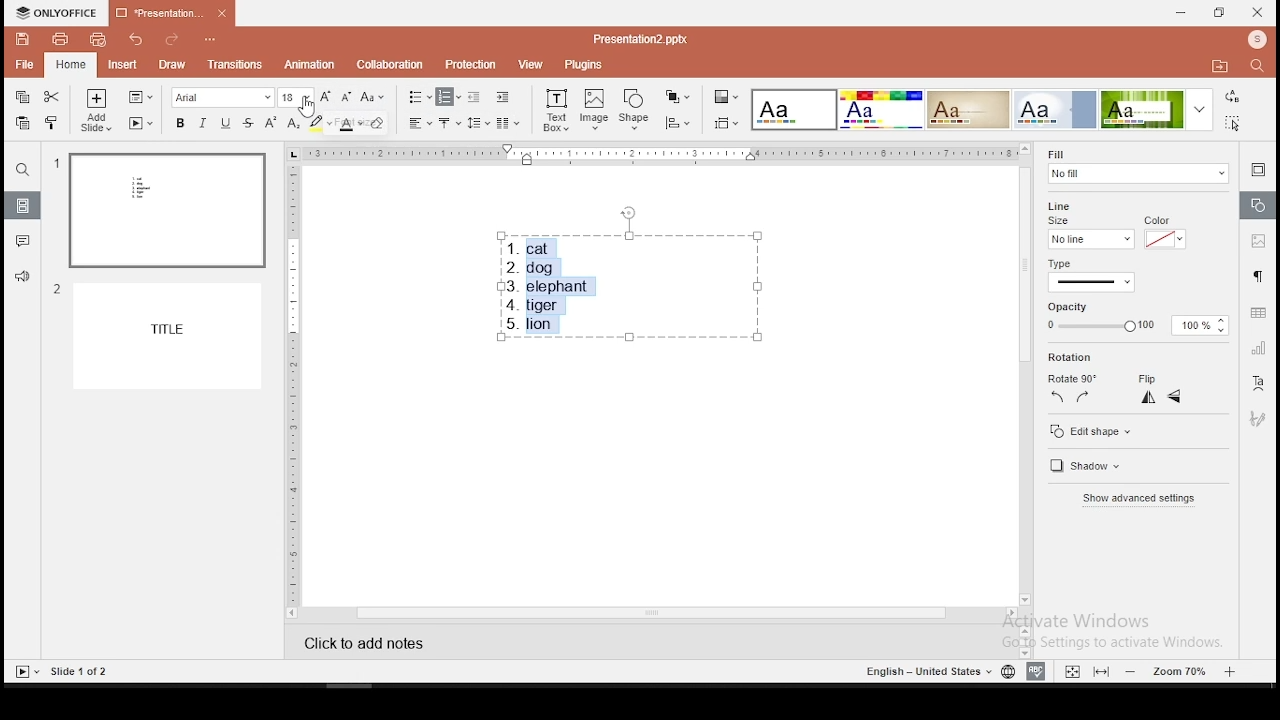 The height and width of the screenshot is (720, 1280). What do you see at coordinates (1136, 499) in the screenshot?
I see `show advanced settings` at bounding box center [1136, 499].